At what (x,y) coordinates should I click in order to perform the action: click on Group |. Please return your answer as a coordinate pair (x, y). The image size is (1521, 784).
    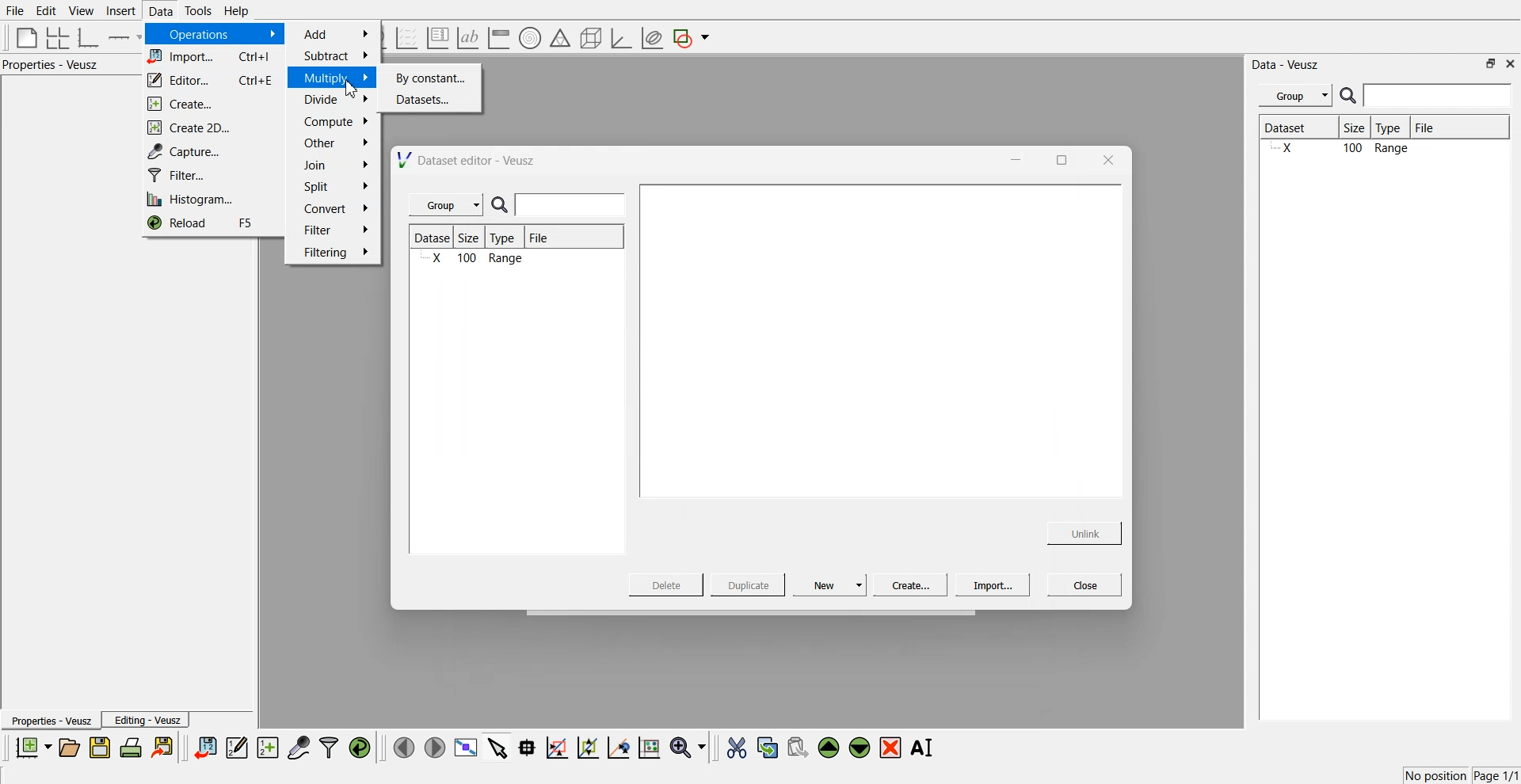
    Looking at the image, I should click on (448, 205).